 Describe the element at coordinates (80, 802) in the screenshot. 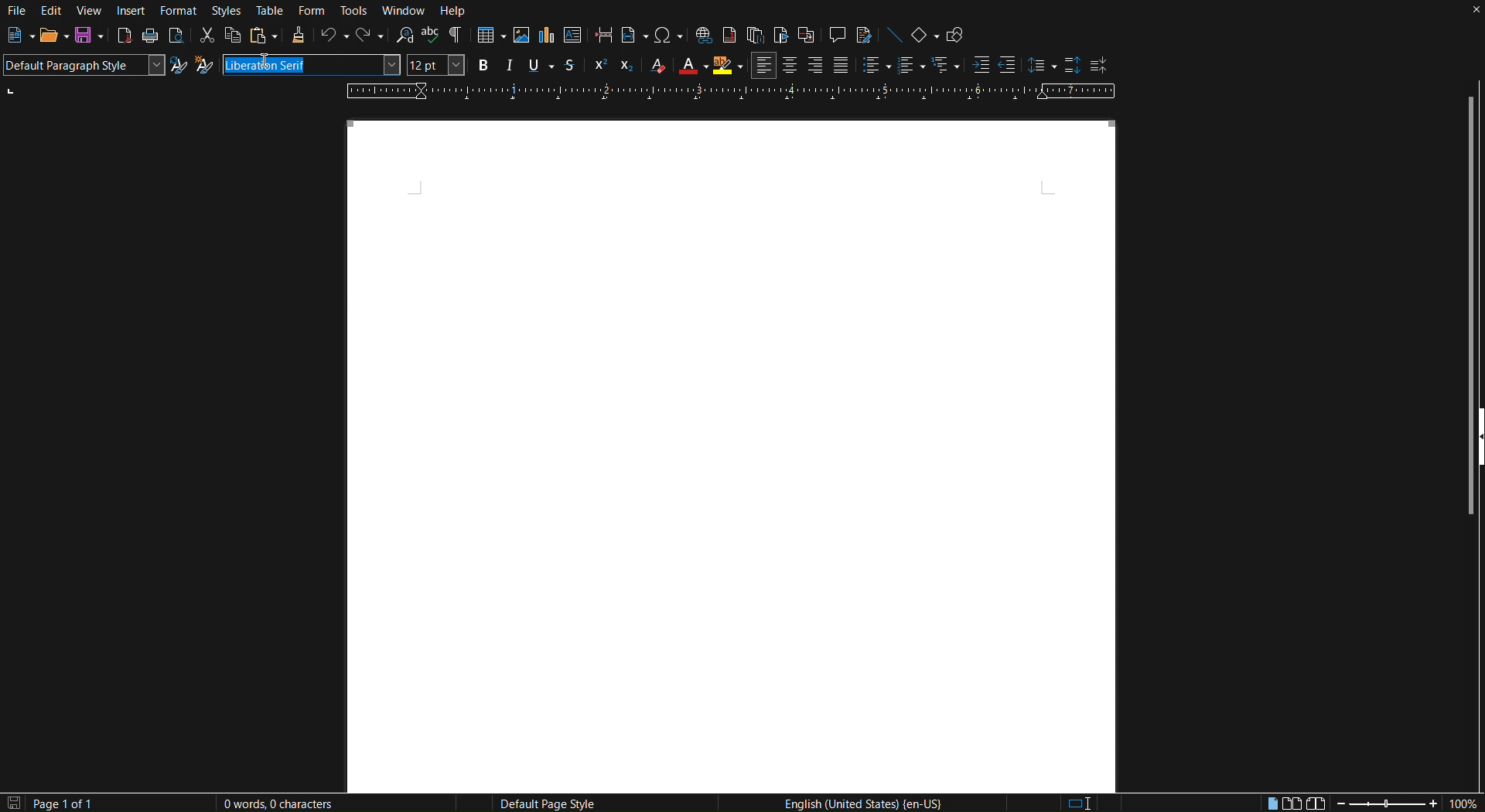

I see `Page 1 of 1` at that location.